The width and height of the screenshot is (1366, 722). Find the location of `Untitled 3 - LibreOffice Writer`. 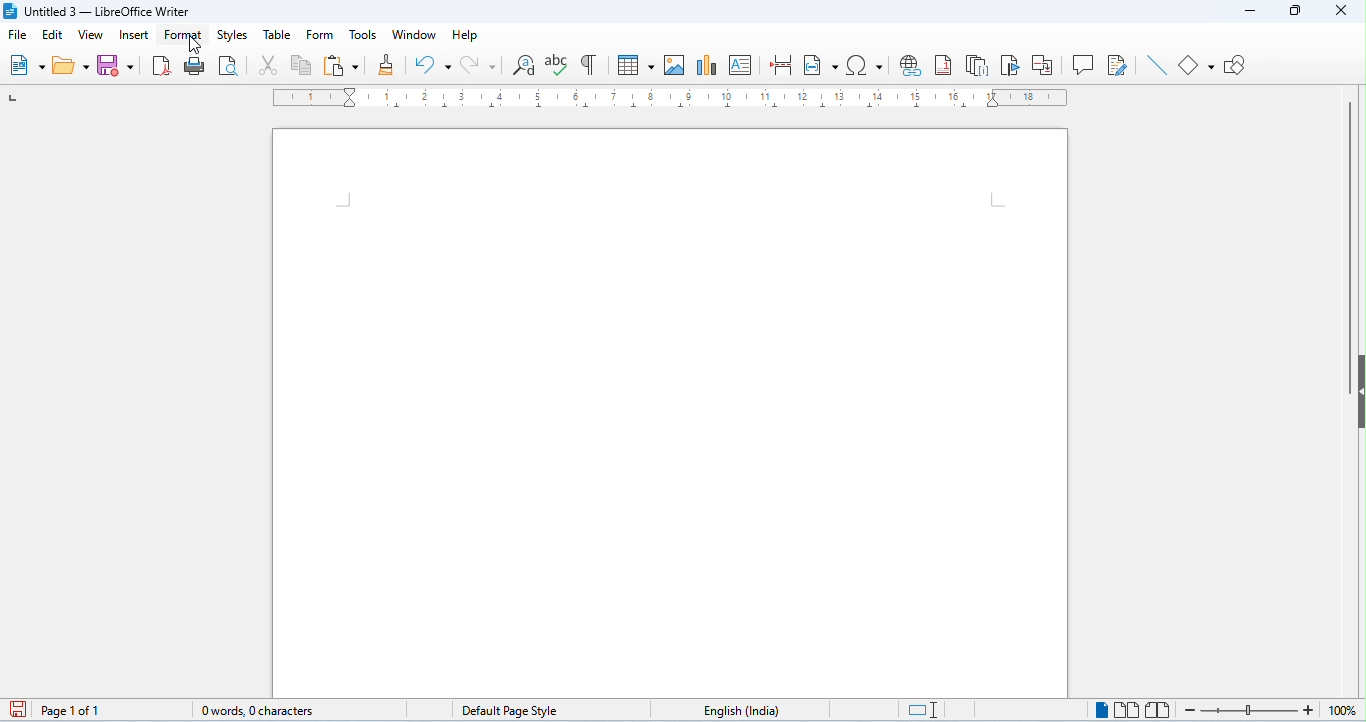

Untitled 3 - LibreOffice Writer is located at coordinates (108, 12).